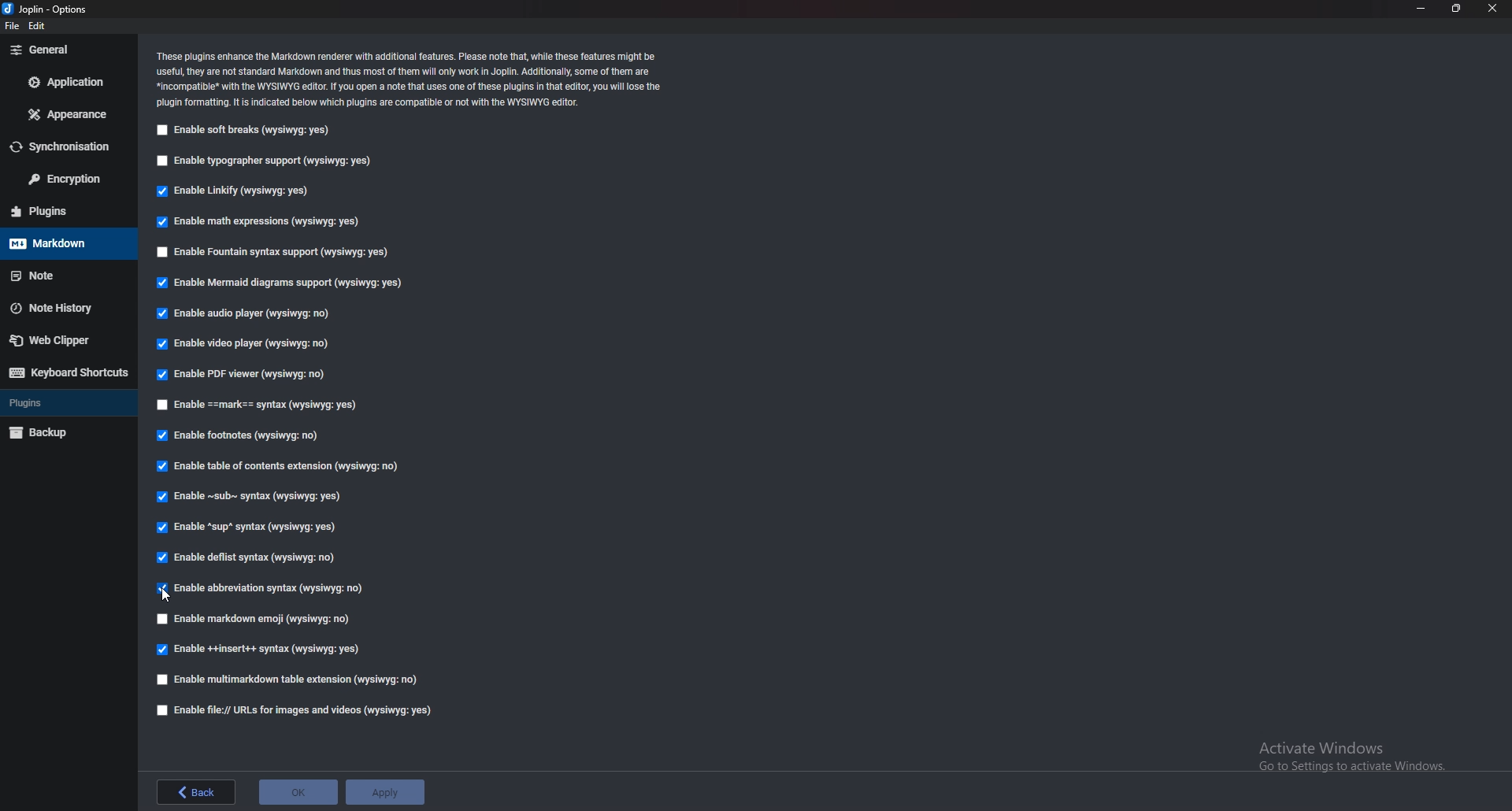 The width and height of the screenshot is (1512, 811). I want to click on enable PDF viewer, so click(245, 376).